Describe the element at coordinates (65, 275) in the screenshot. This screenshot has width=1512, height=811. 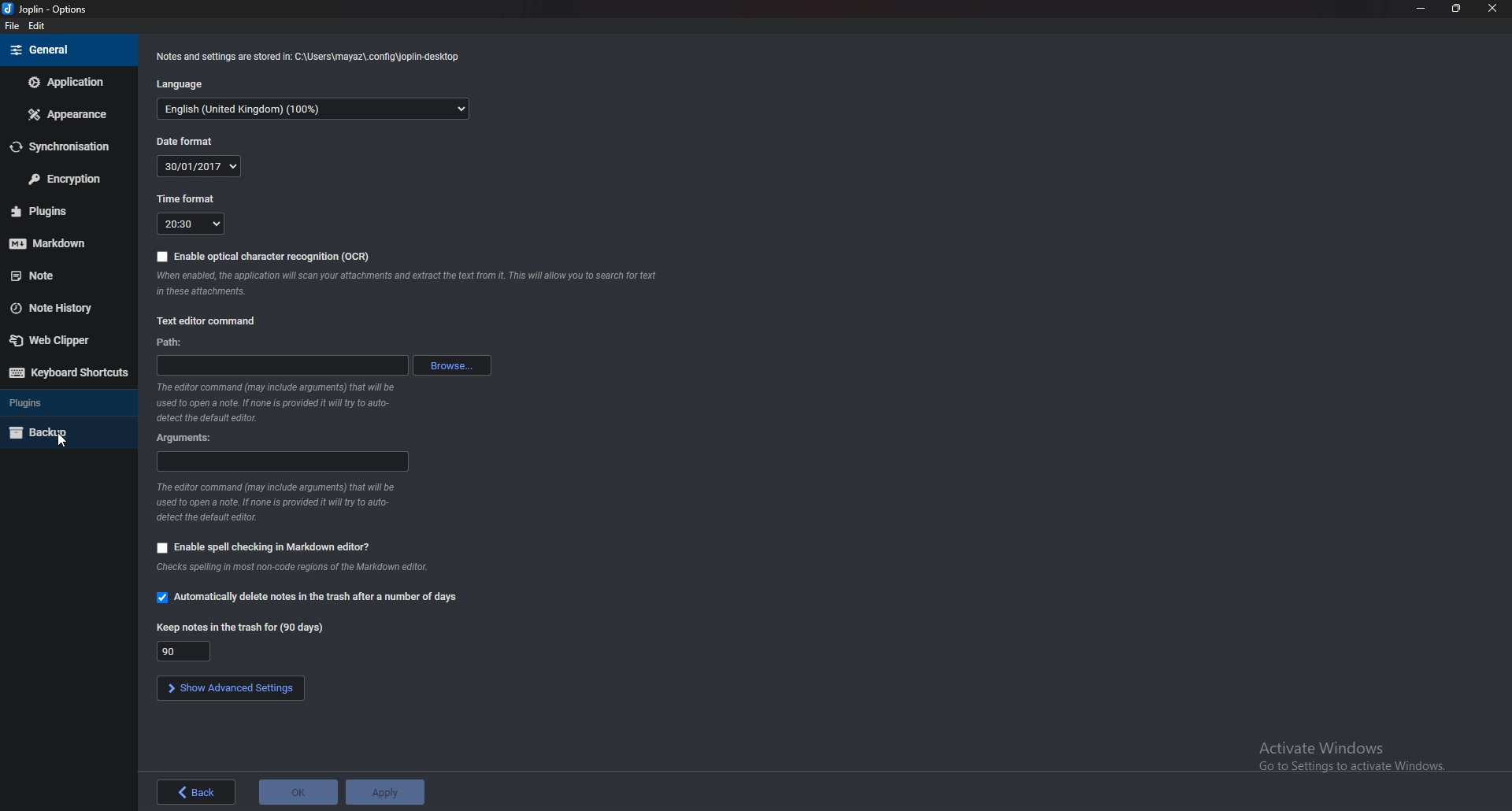
I see `note` at that location.